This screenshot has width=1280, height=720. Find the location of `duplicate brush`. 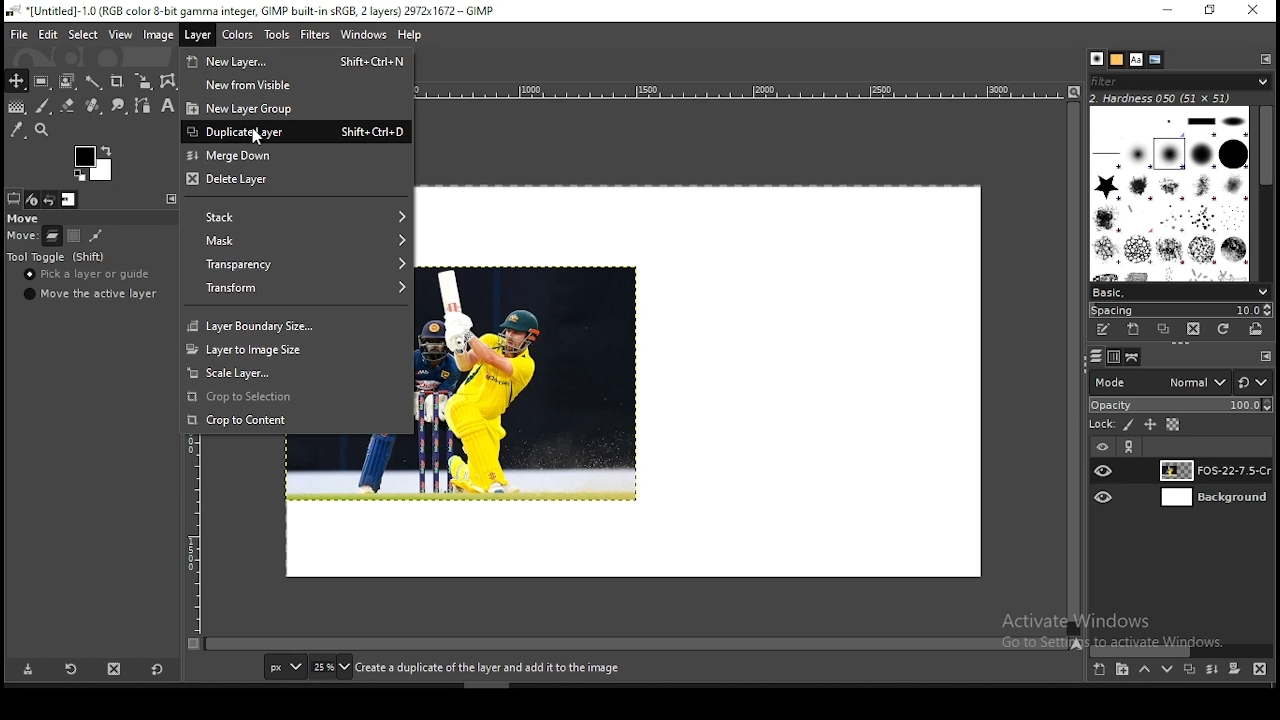

duplicate brush is located at coordinates (1164, 329).